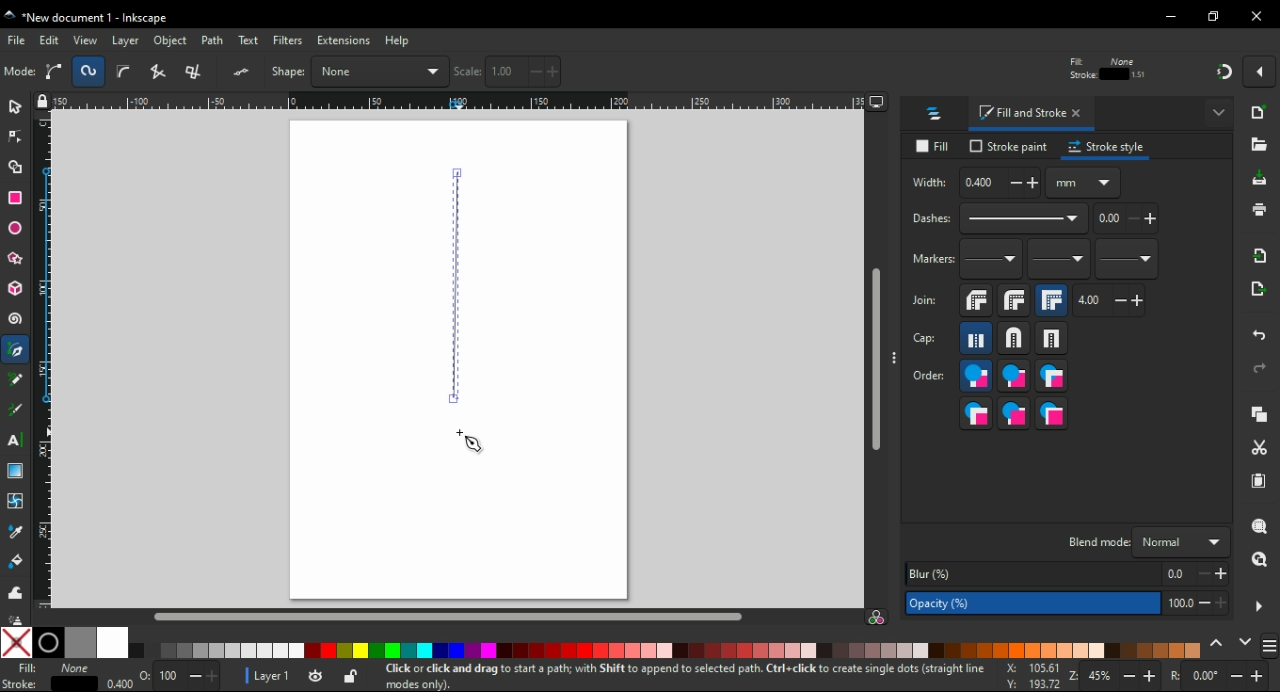 The width and height of the screenshot is (1280, 692). Describe the element at coordinates (1013, 338) in the screenshot. I see `round` at that location.